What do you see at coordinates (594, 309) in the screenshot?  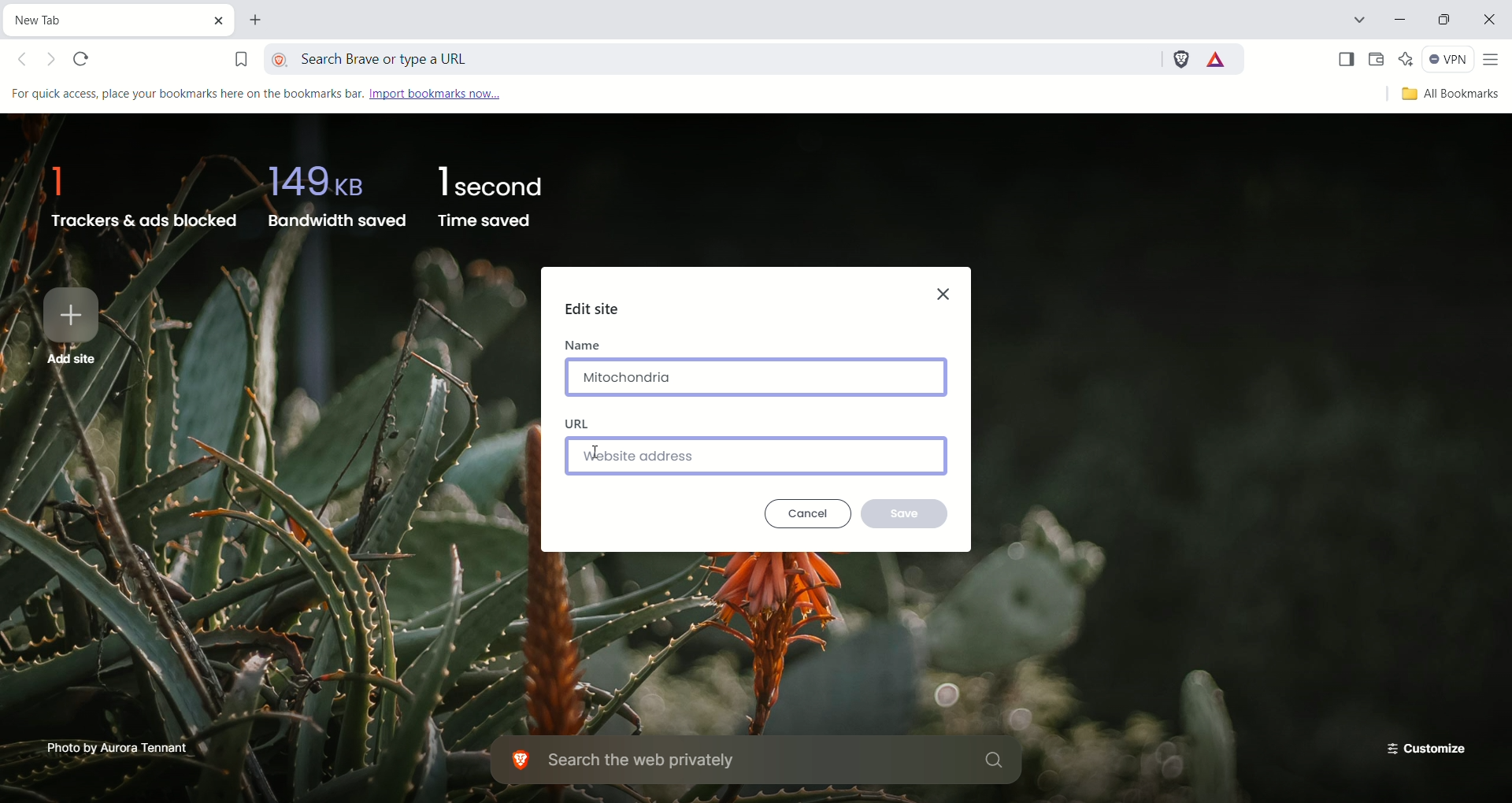 I see `edit site` at bounding box center [594, 309].